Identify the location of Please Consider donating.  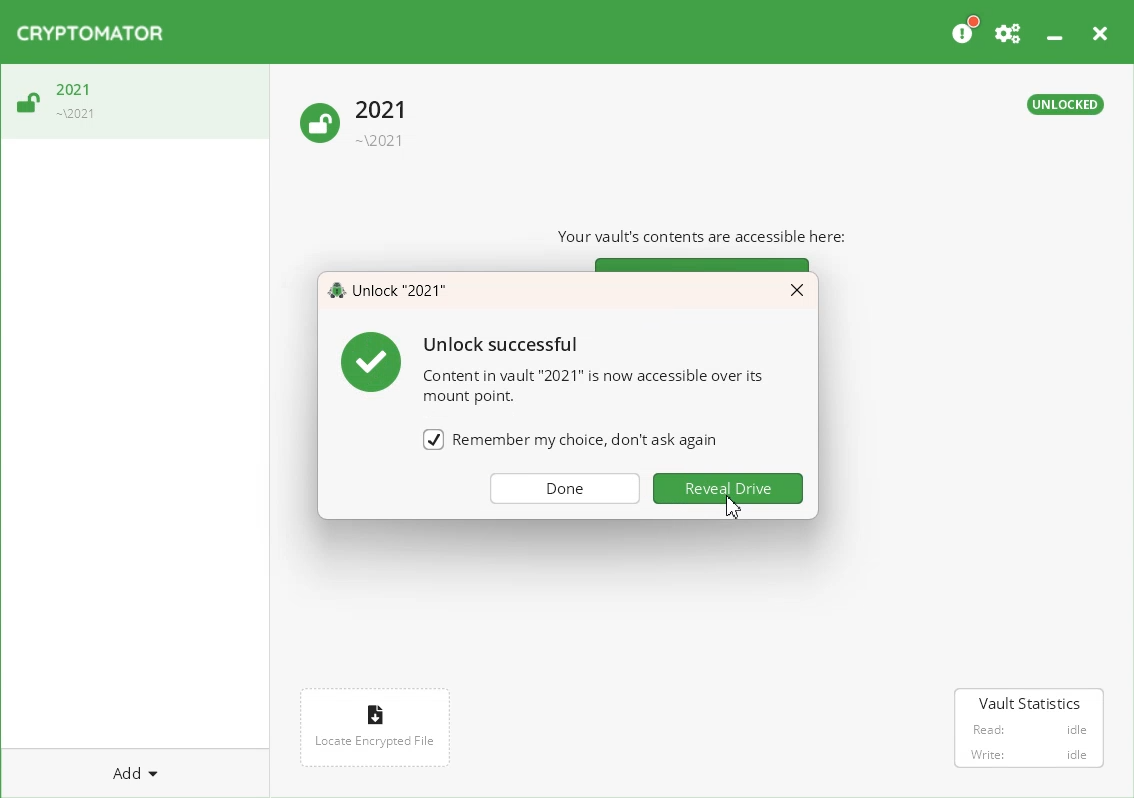
(964, 30).